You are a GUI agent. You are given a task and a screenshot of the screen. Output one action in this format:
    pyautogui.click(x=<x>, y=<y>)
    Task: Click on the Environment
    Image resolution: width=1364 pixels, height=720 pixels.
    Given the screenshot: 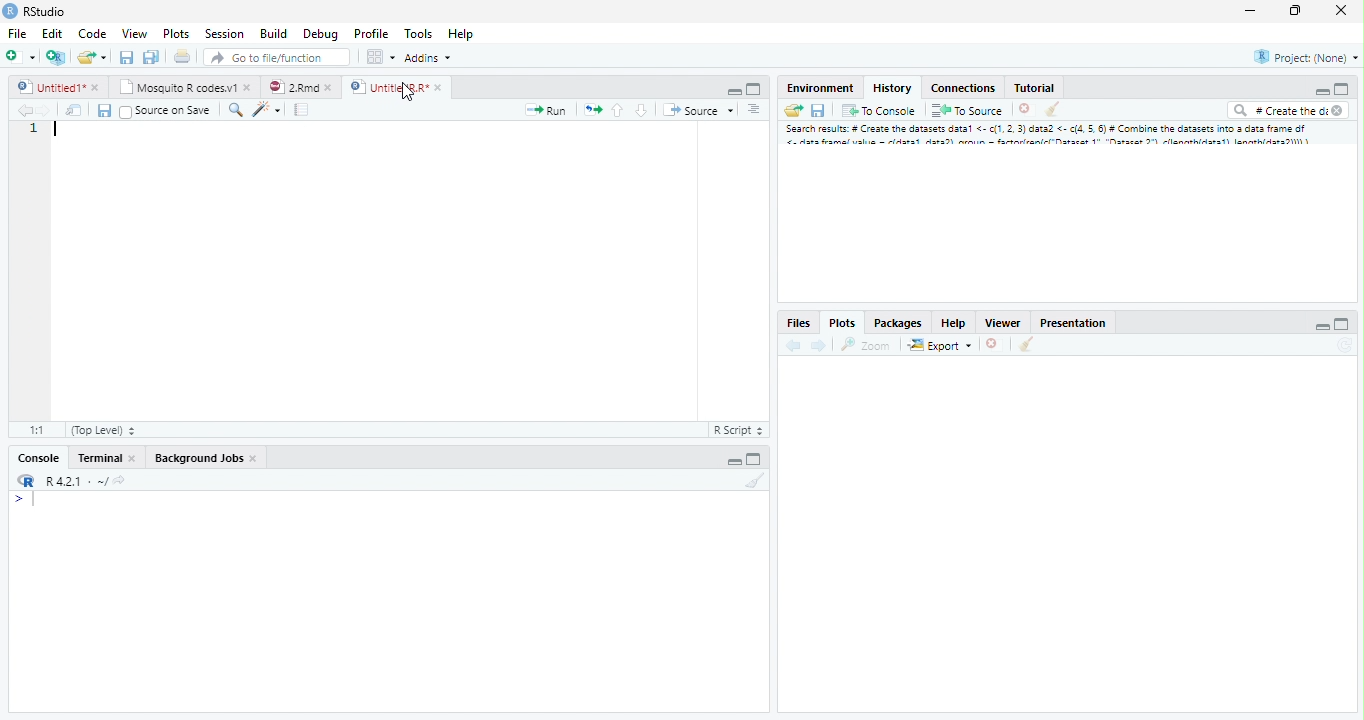 What is the action you would take?
    pyautogui.click(x=819, y=88)
    